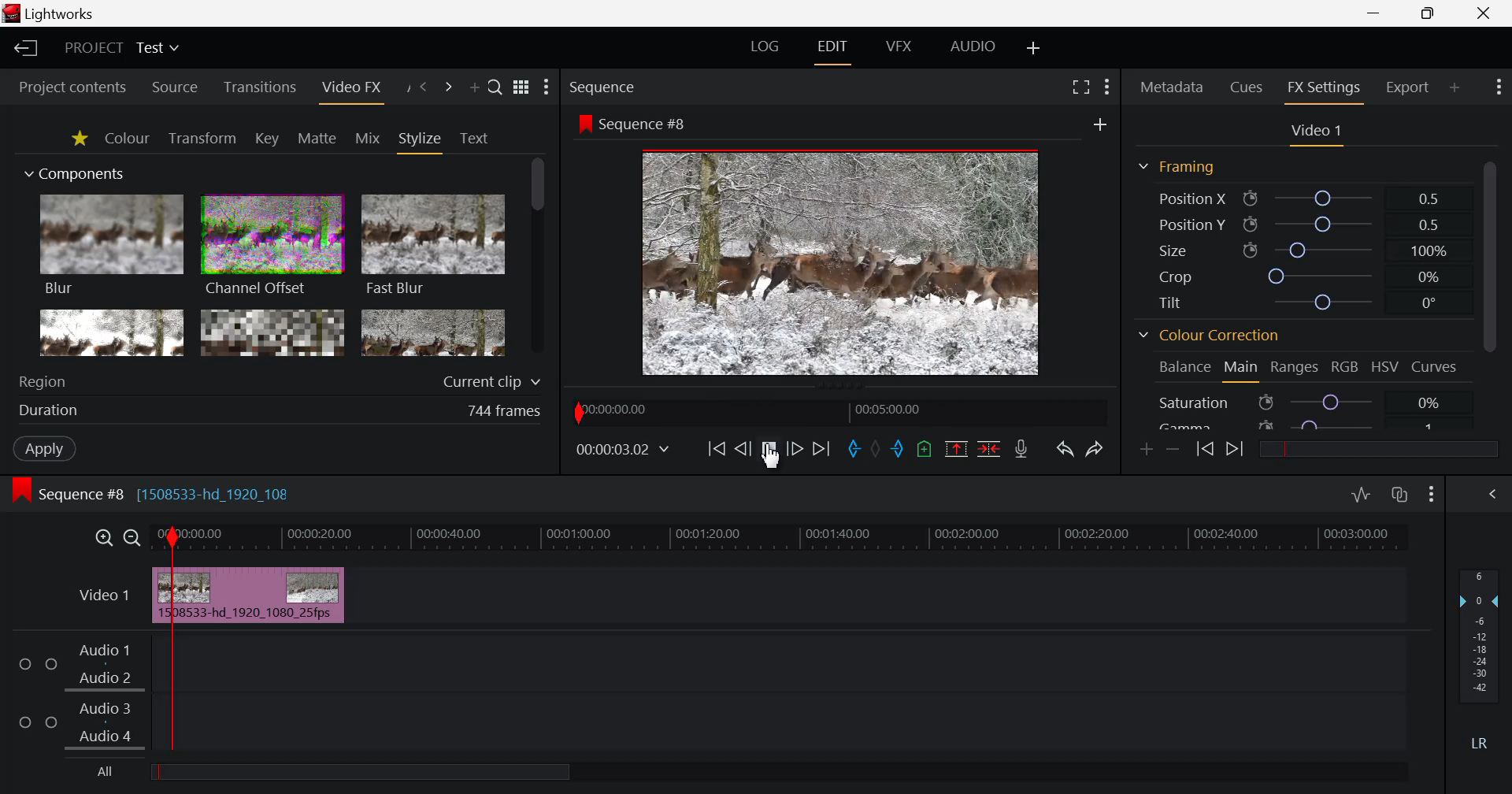  Describe the element at coordinates (1432, 496) in the screenshot. I see `Show Settings` at that location.